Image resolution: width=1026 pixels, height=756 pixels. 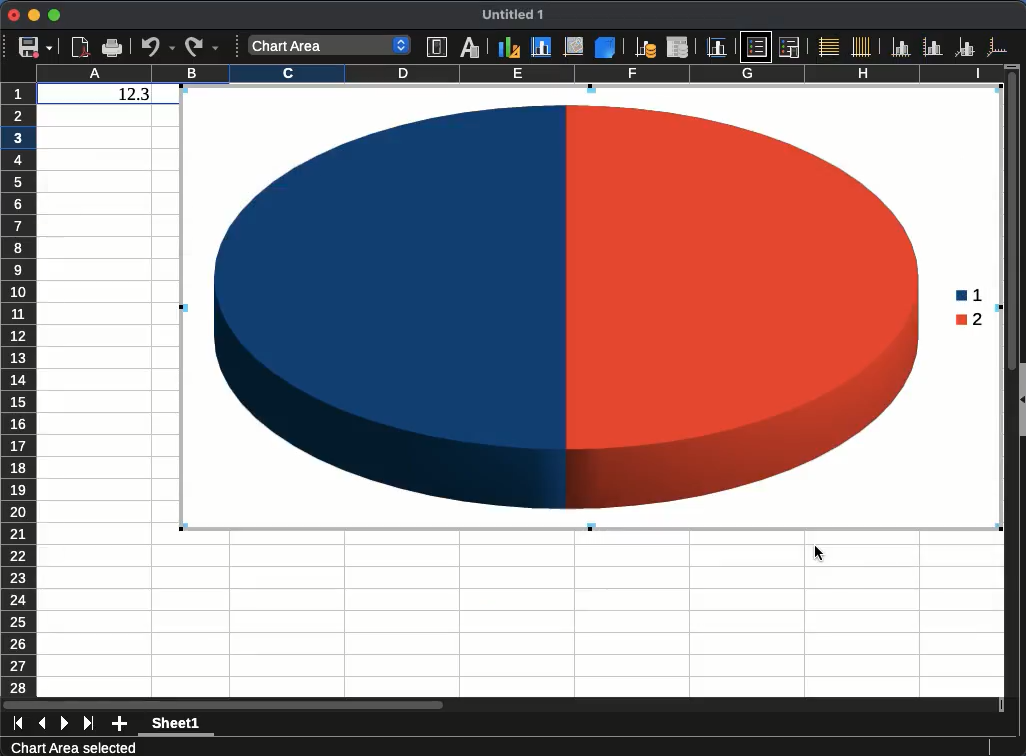 What do you see at coordinates (65, 724) in the screenshot?
I see `next sheet` at bounding box center [65, 724].